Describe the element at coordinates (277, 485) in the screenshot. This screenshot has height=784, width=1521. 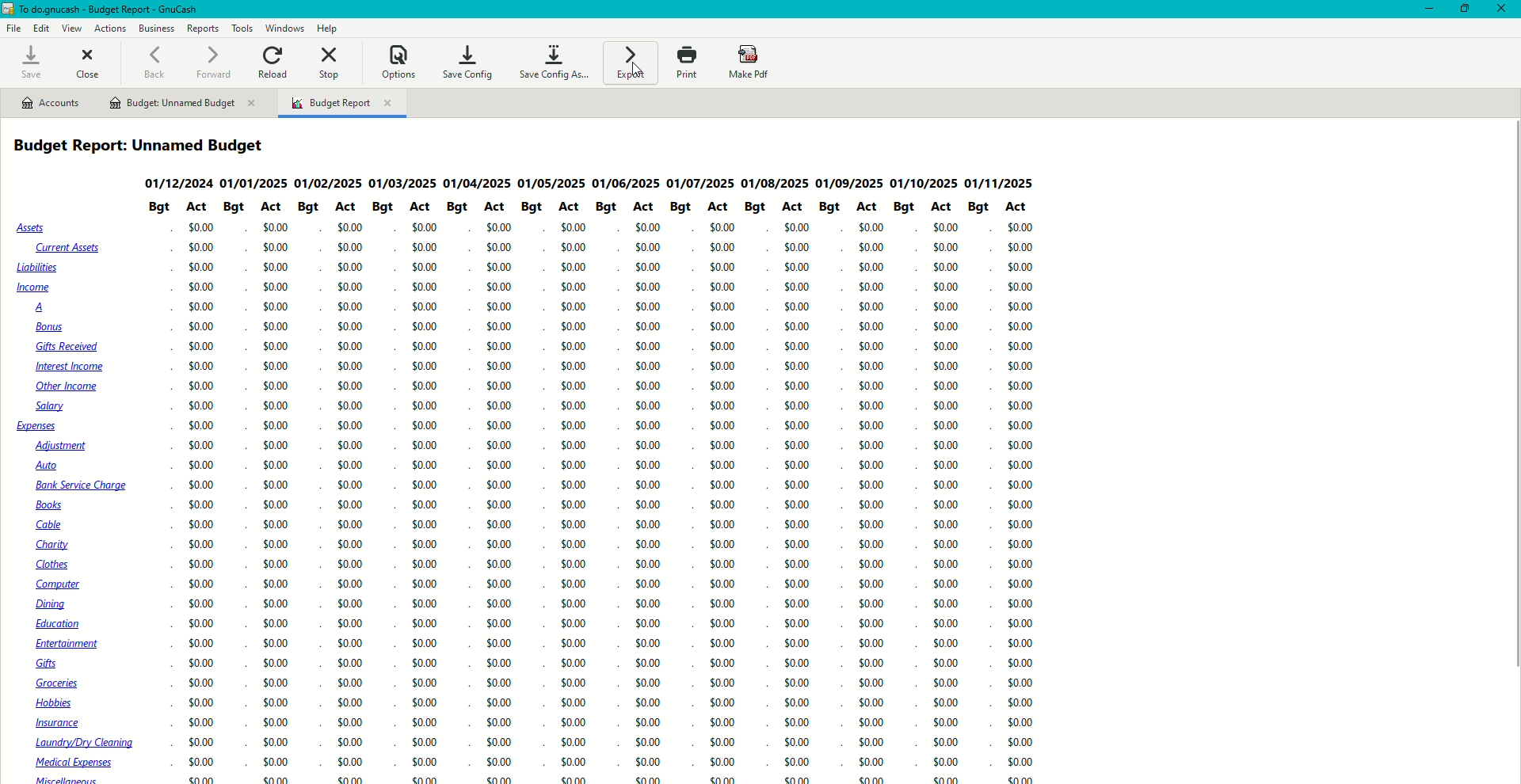
I see `0.00` at that location.